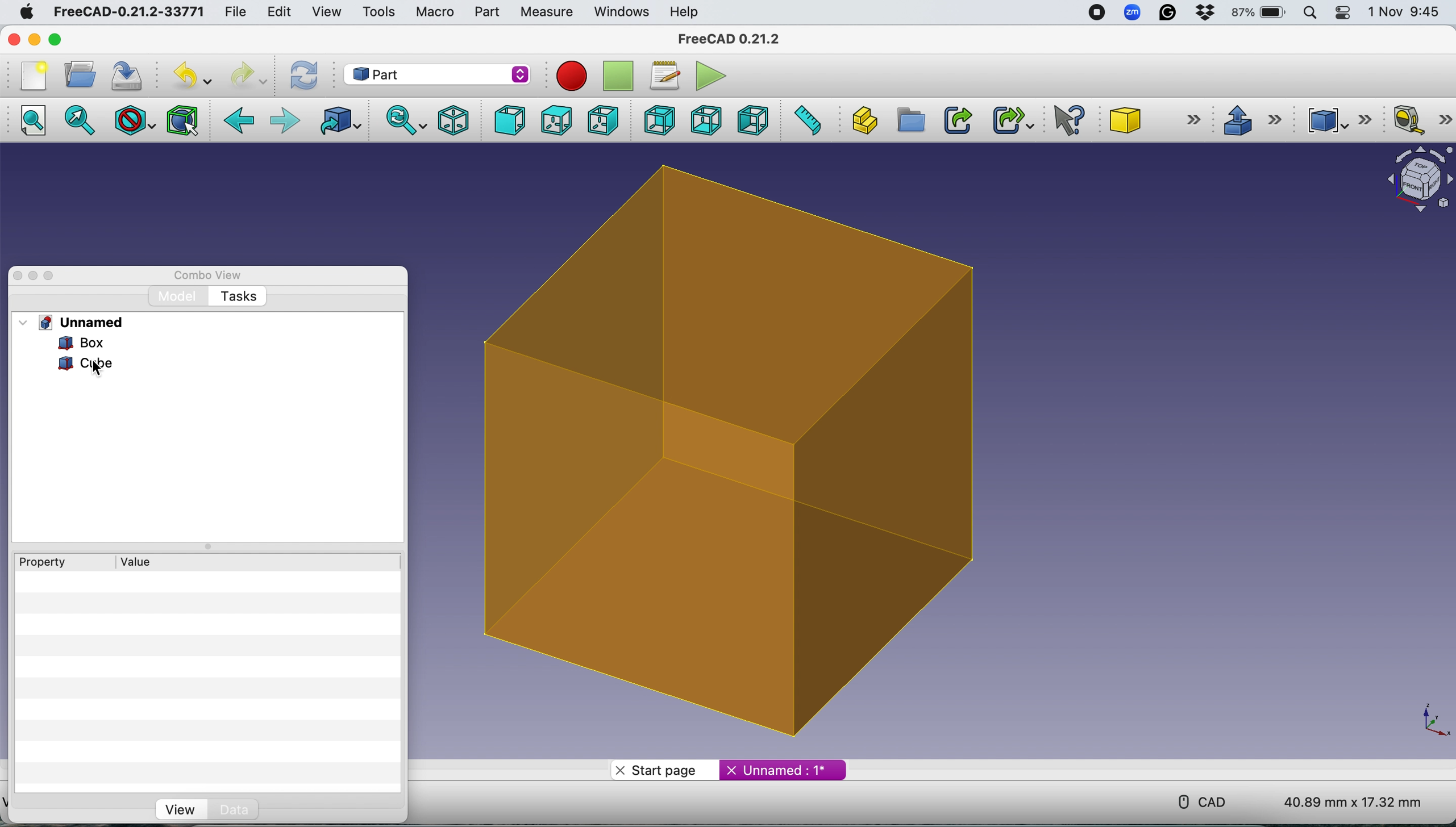 The height and width of the screenshot is (827, 1456). Describe the element at coordinates (232, 12) in the screenshot. I see `File` at that location.